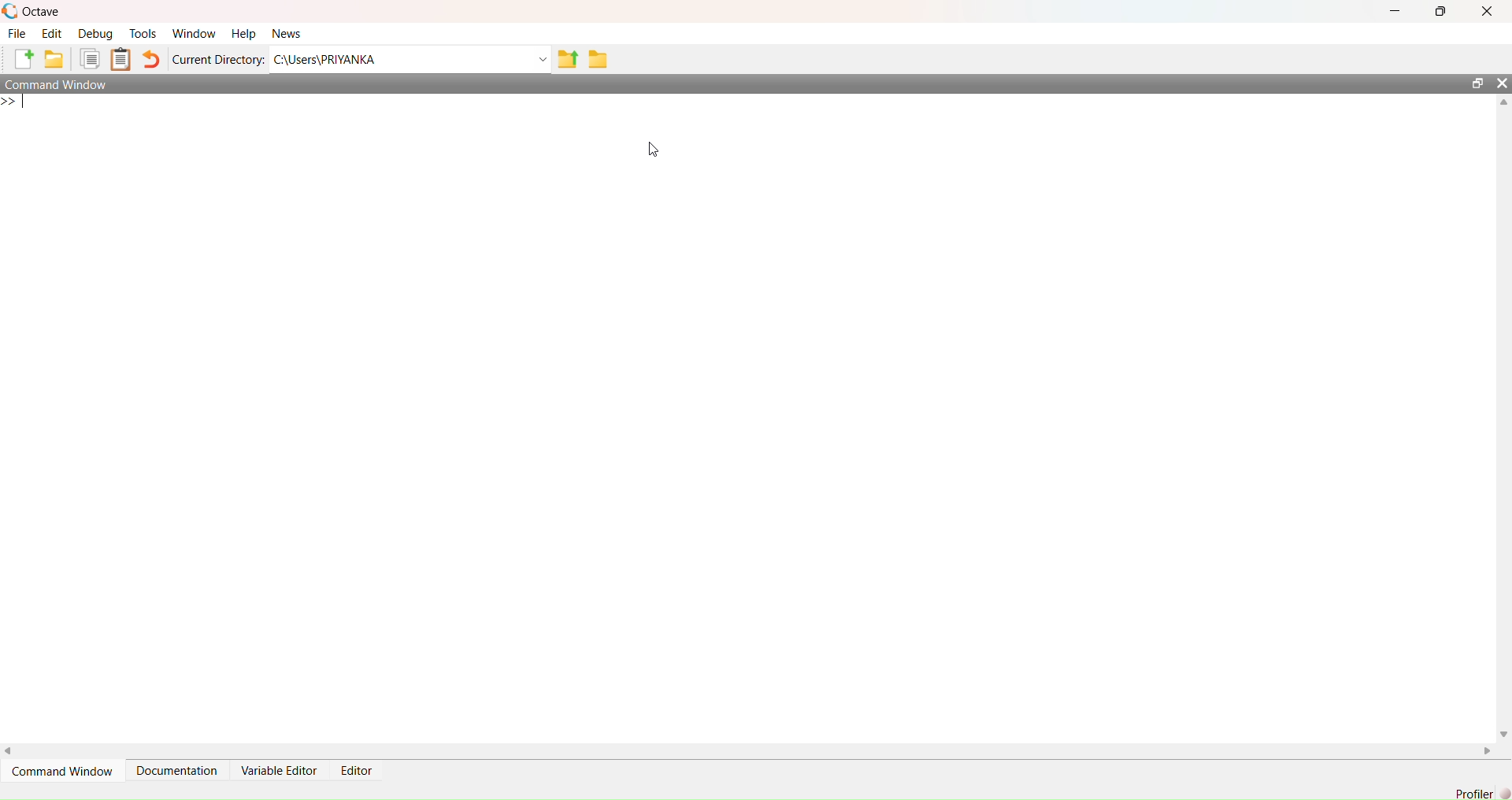  Describe the element at coordinates (286, 32) in the screenshot. I see `News` at that location.